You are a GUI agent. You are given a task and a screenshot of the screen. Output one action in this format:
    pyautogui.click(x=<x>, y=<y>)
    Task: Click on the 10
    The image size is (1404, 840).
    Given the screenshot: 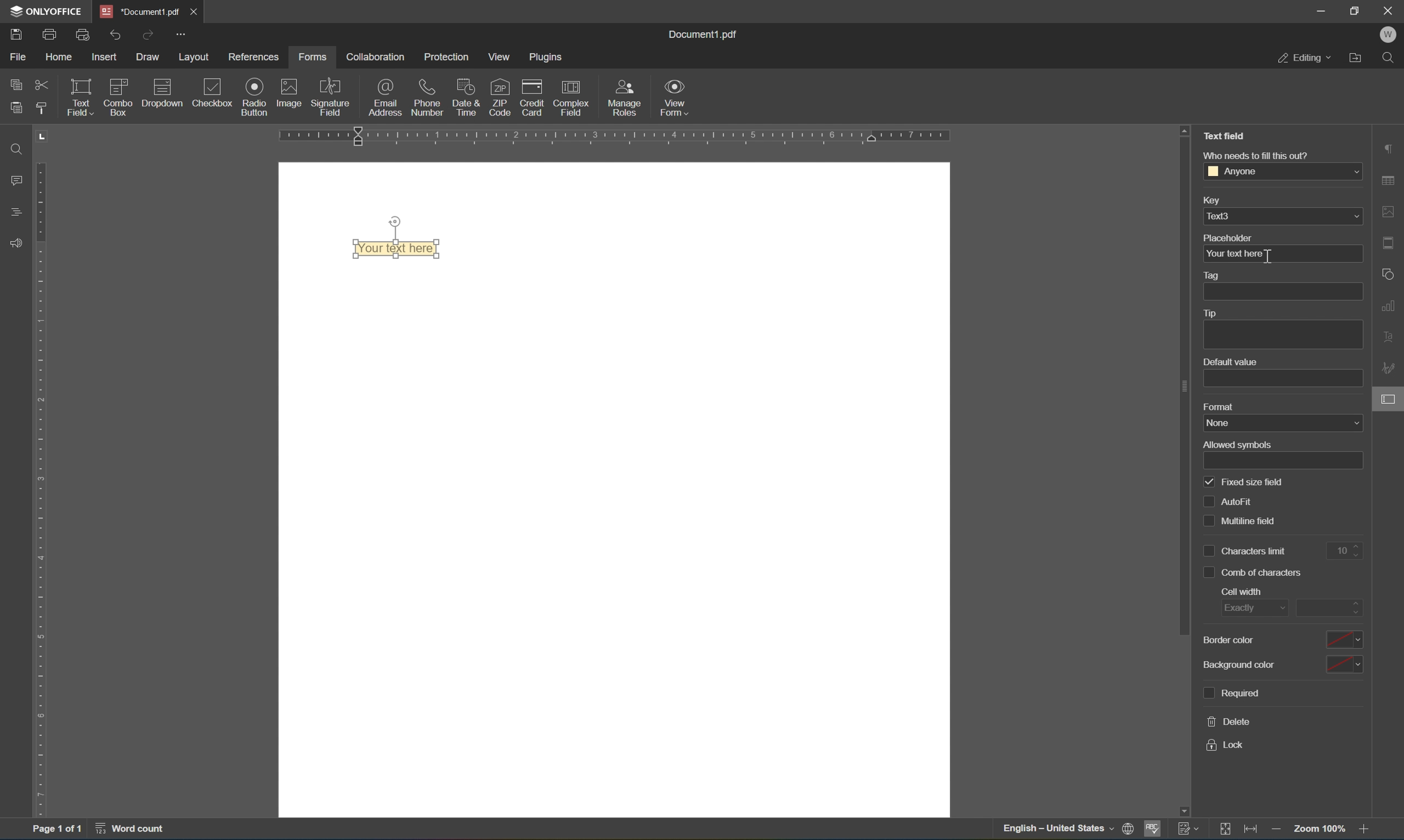 What is the action you would take?
    pyautogui.click(x=1343, y=550)
    